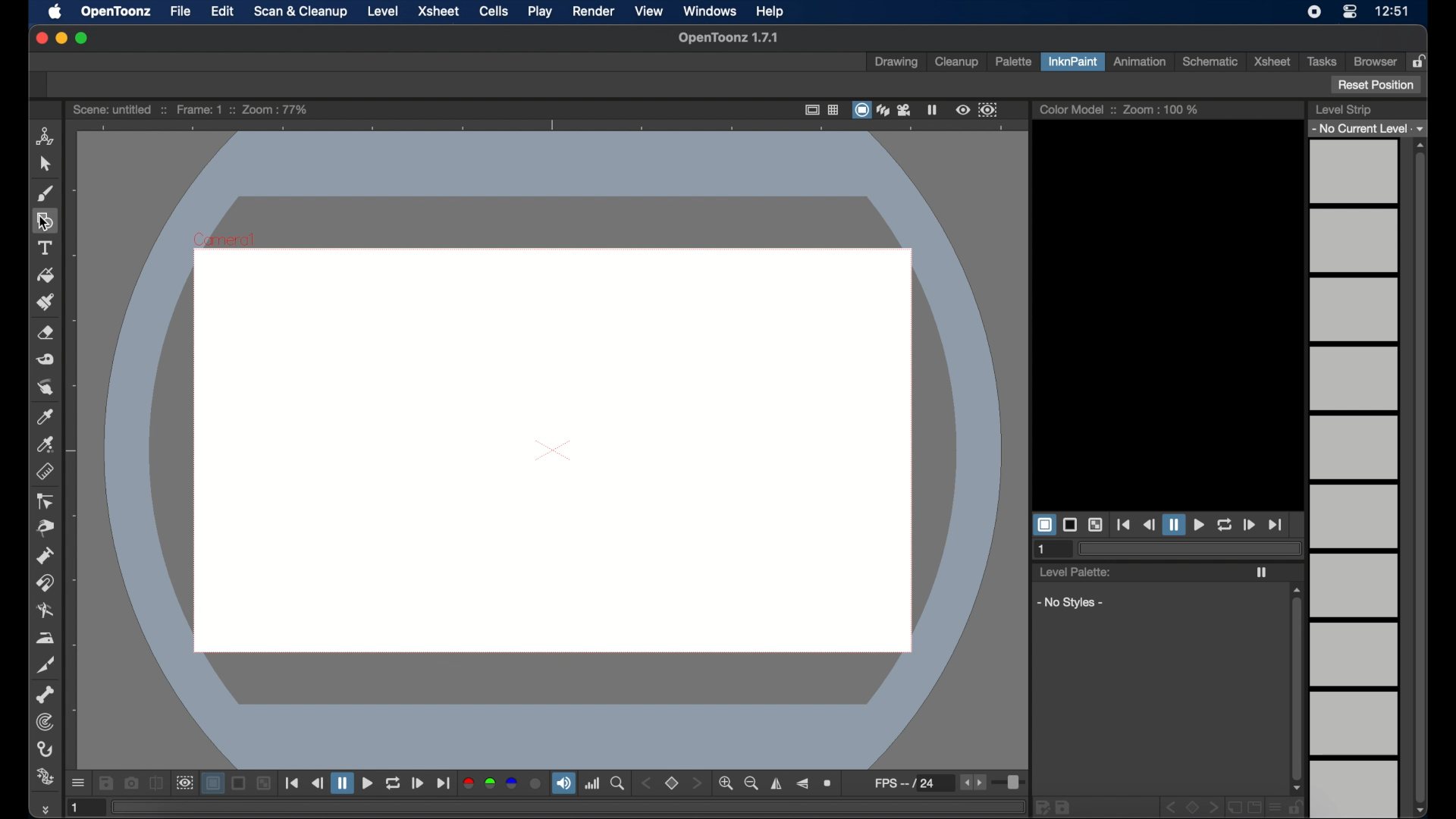  What do you see at coordinates (45, 777) in the screenshot?
I see `plastic tool` at bounding box center [45, 777].